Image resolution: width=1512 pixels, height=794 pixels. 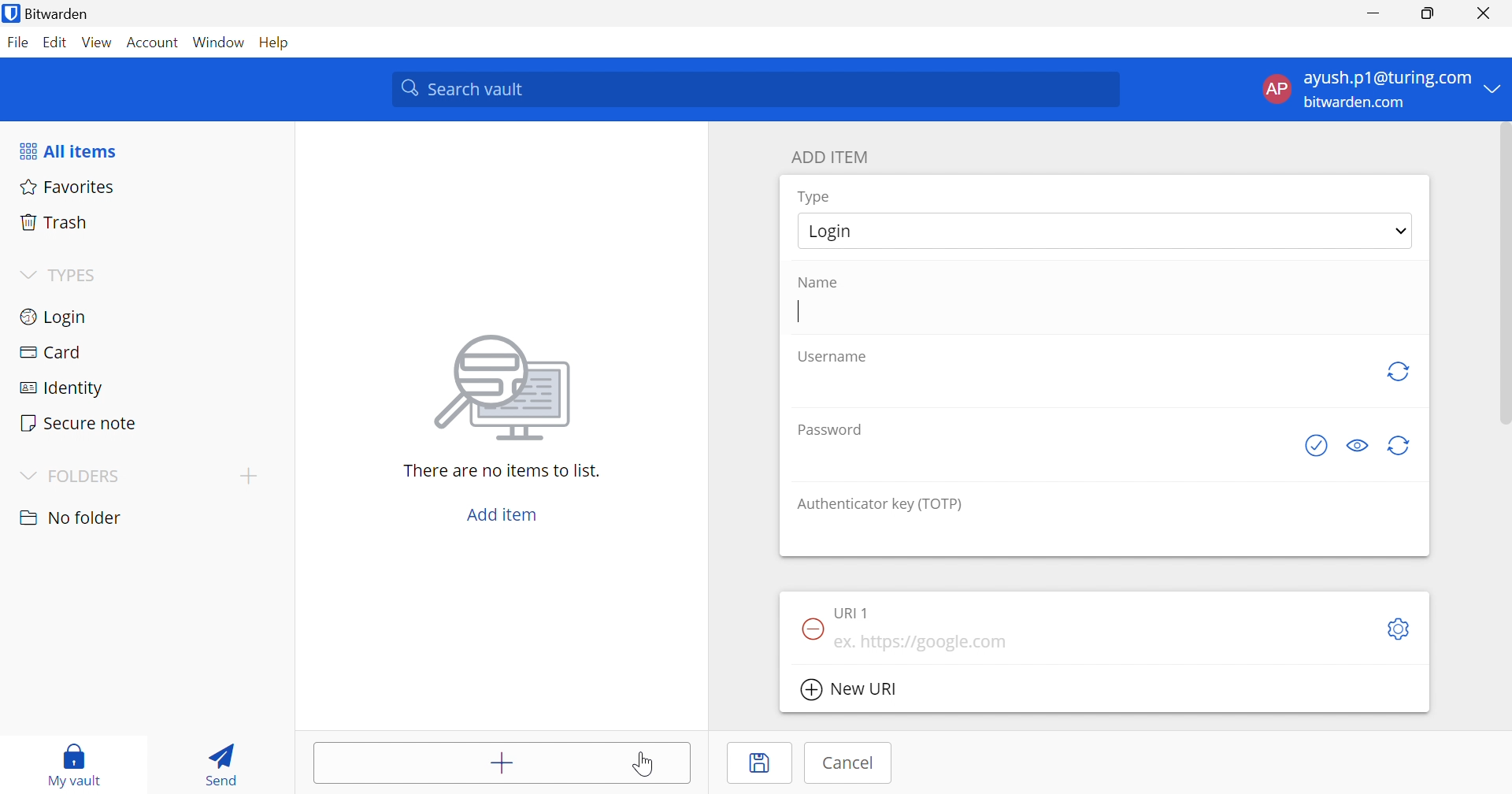 What do you see at coordinates (55, 42) in the screenshot?
I see `Edit` at bounding box center [55, 42].